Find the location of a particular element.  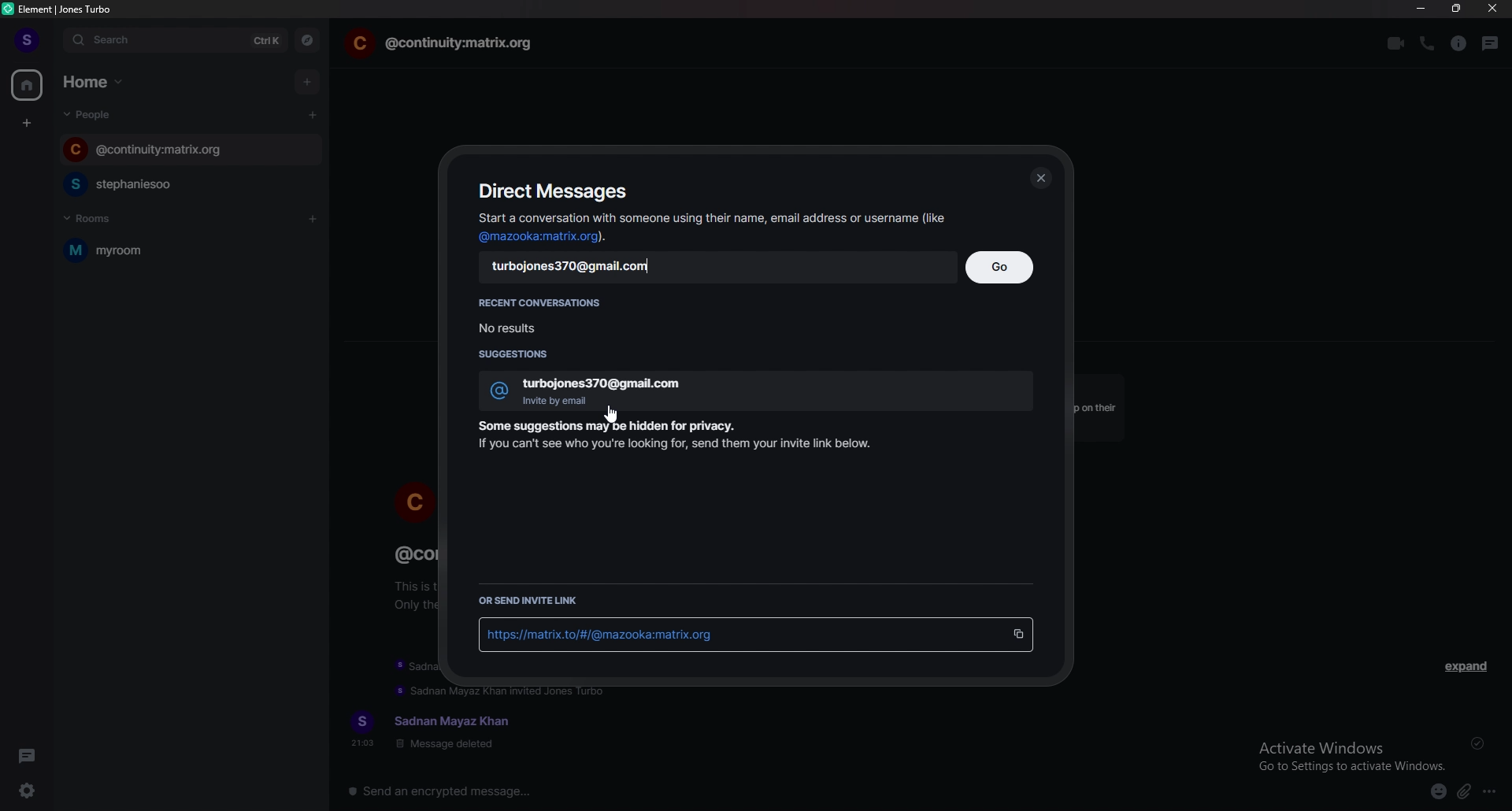

info is located at coordinates (712, 226).